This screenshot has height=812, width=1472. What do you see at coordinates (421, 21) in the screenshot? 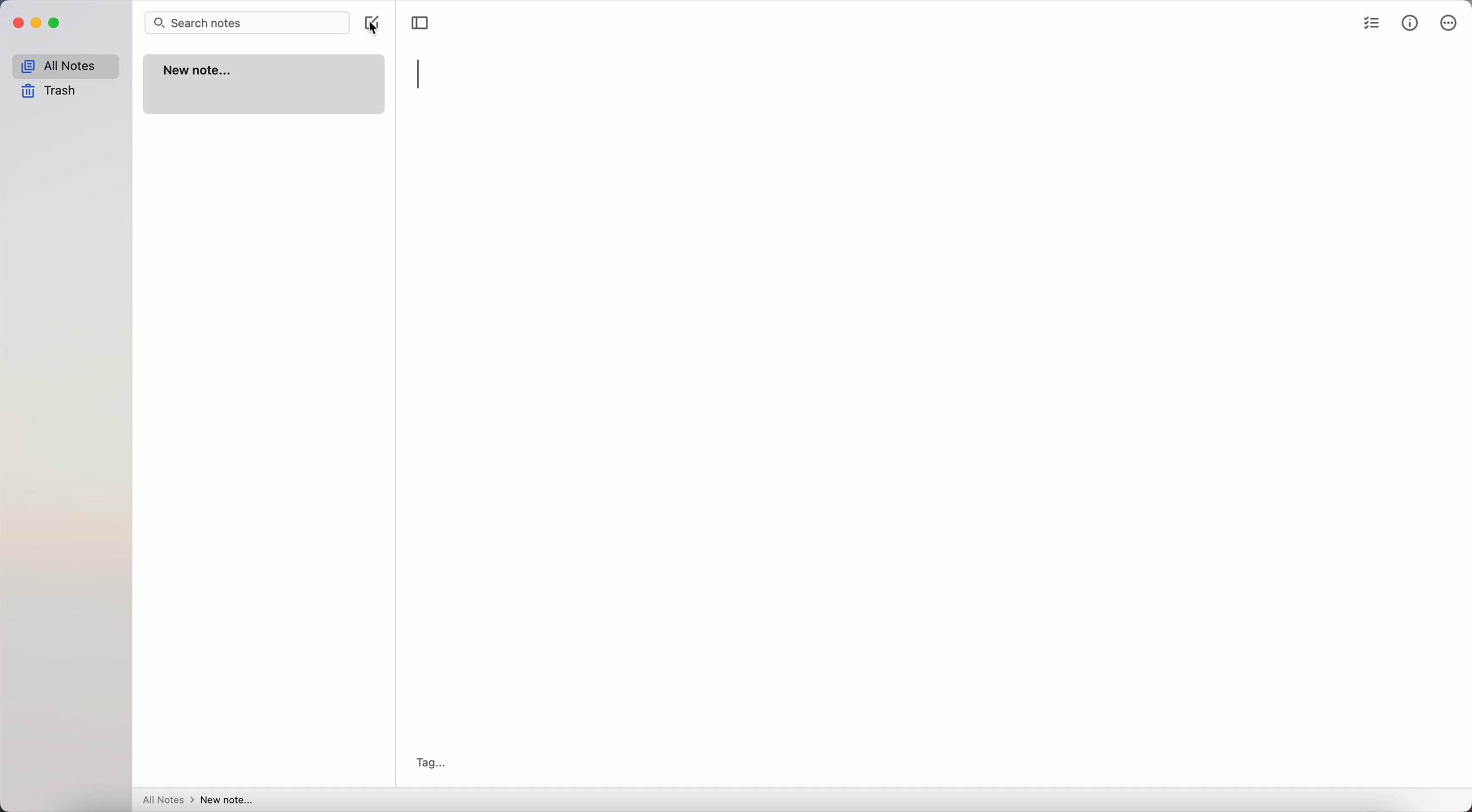
I see `toggle sidebar` at bounding box center [421, 21].